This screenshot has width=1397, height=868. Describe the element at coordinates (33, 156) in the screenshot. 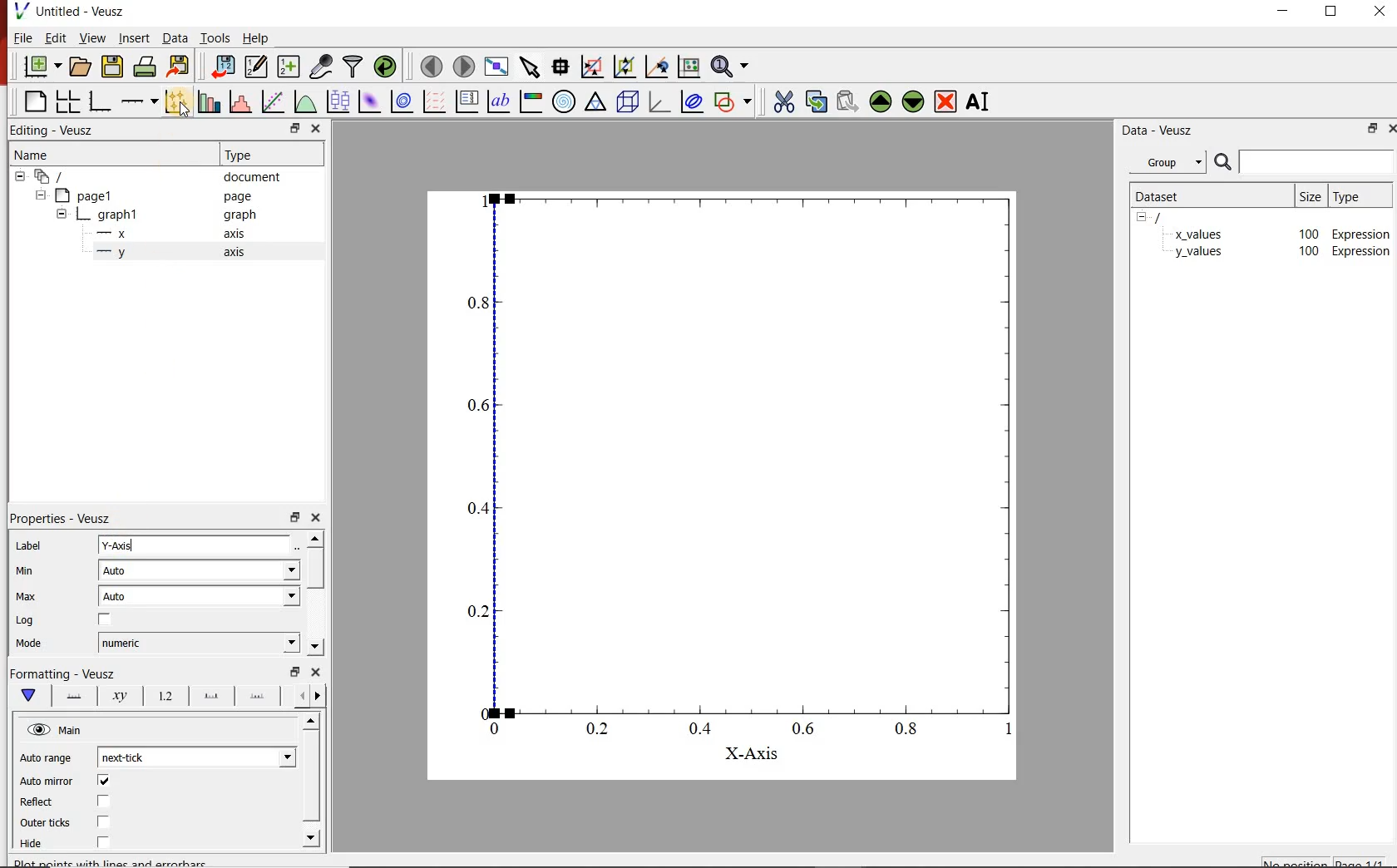

I see `name` at that location.